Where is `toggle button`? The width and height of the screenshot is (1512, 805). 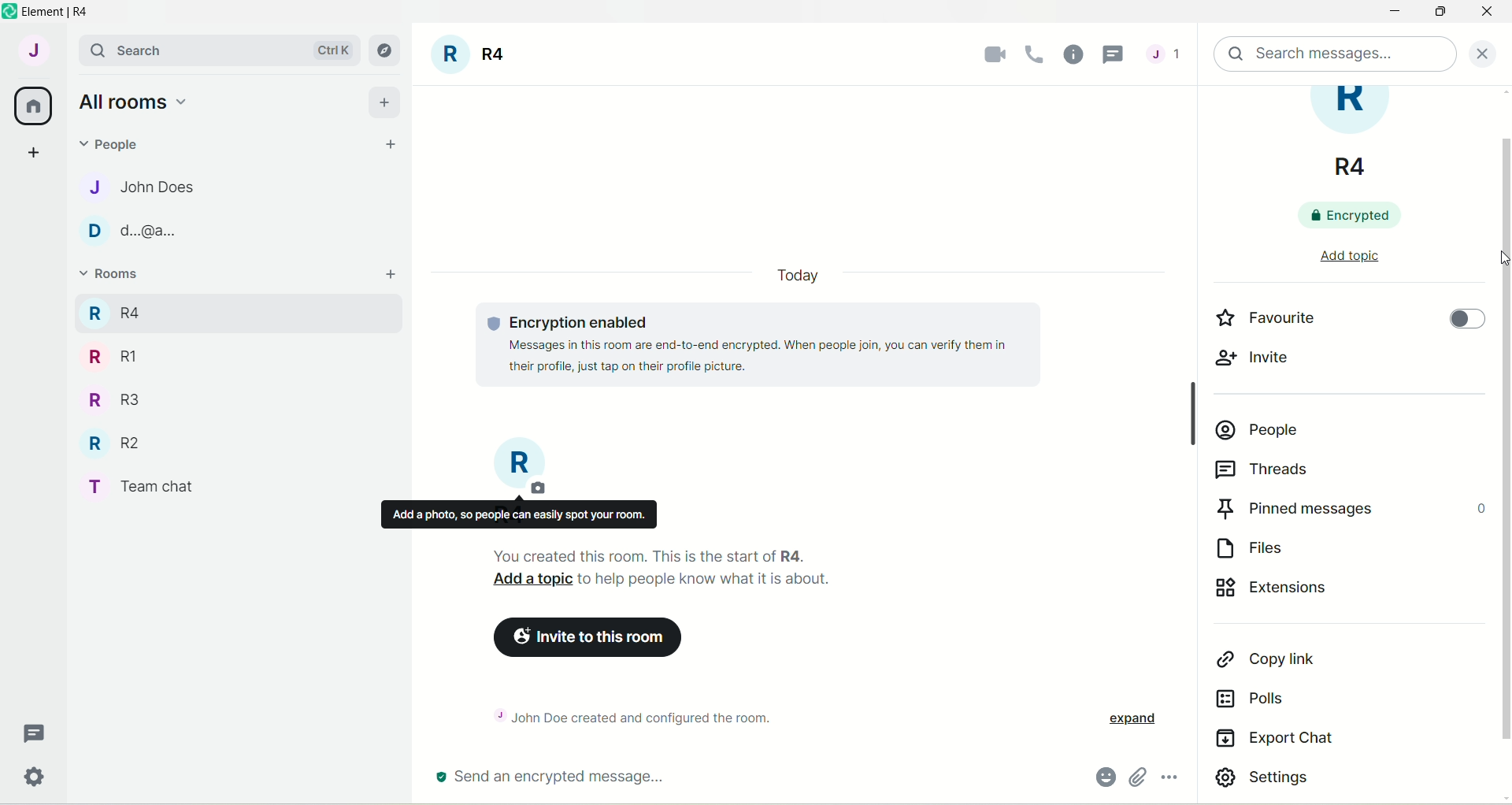
toggle button is located at coordinates (1467, 318).